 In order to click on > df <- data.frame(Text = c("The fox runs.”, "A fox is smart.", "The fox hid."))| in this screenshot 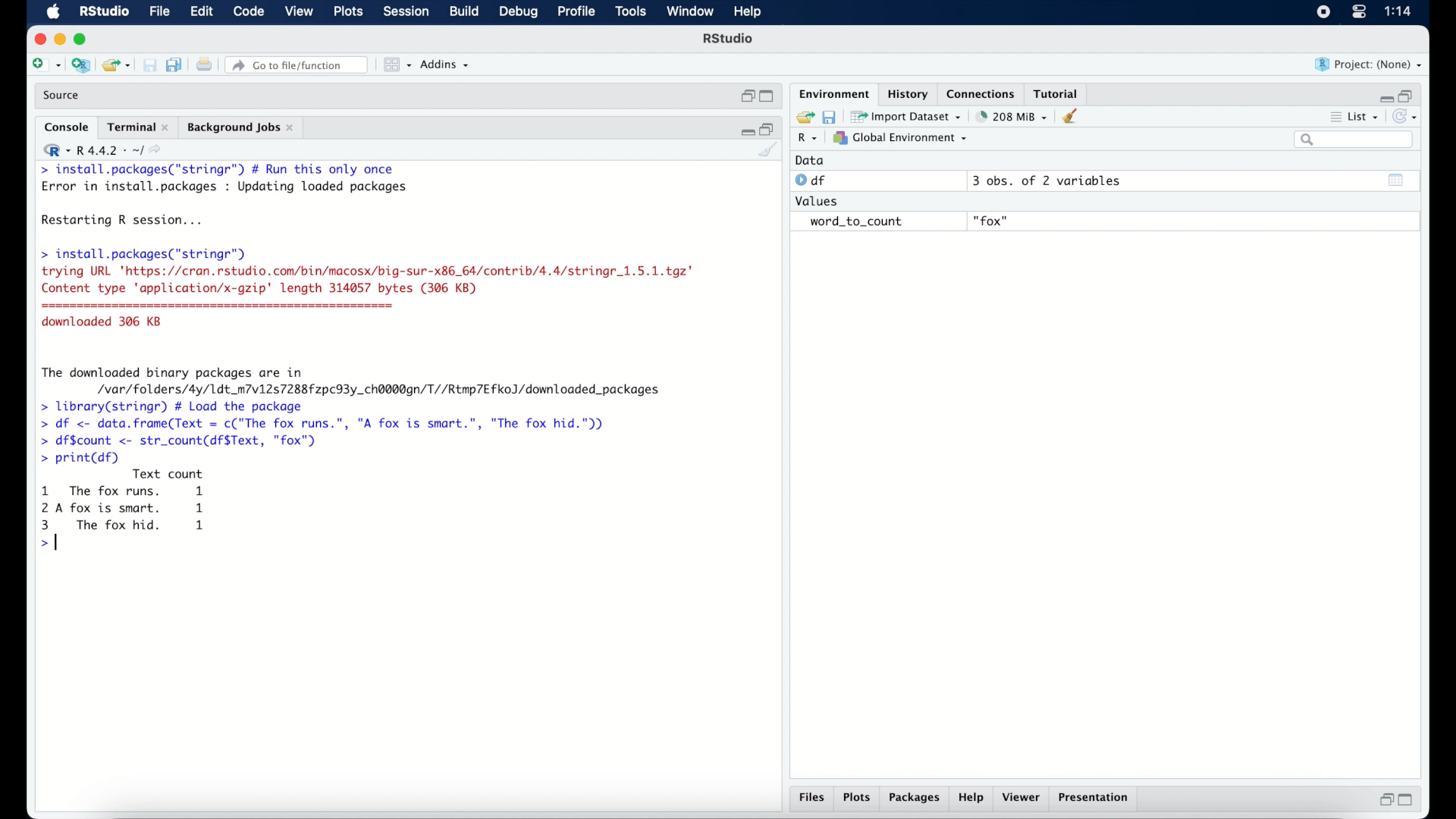, I will do `click(331, 424)`.